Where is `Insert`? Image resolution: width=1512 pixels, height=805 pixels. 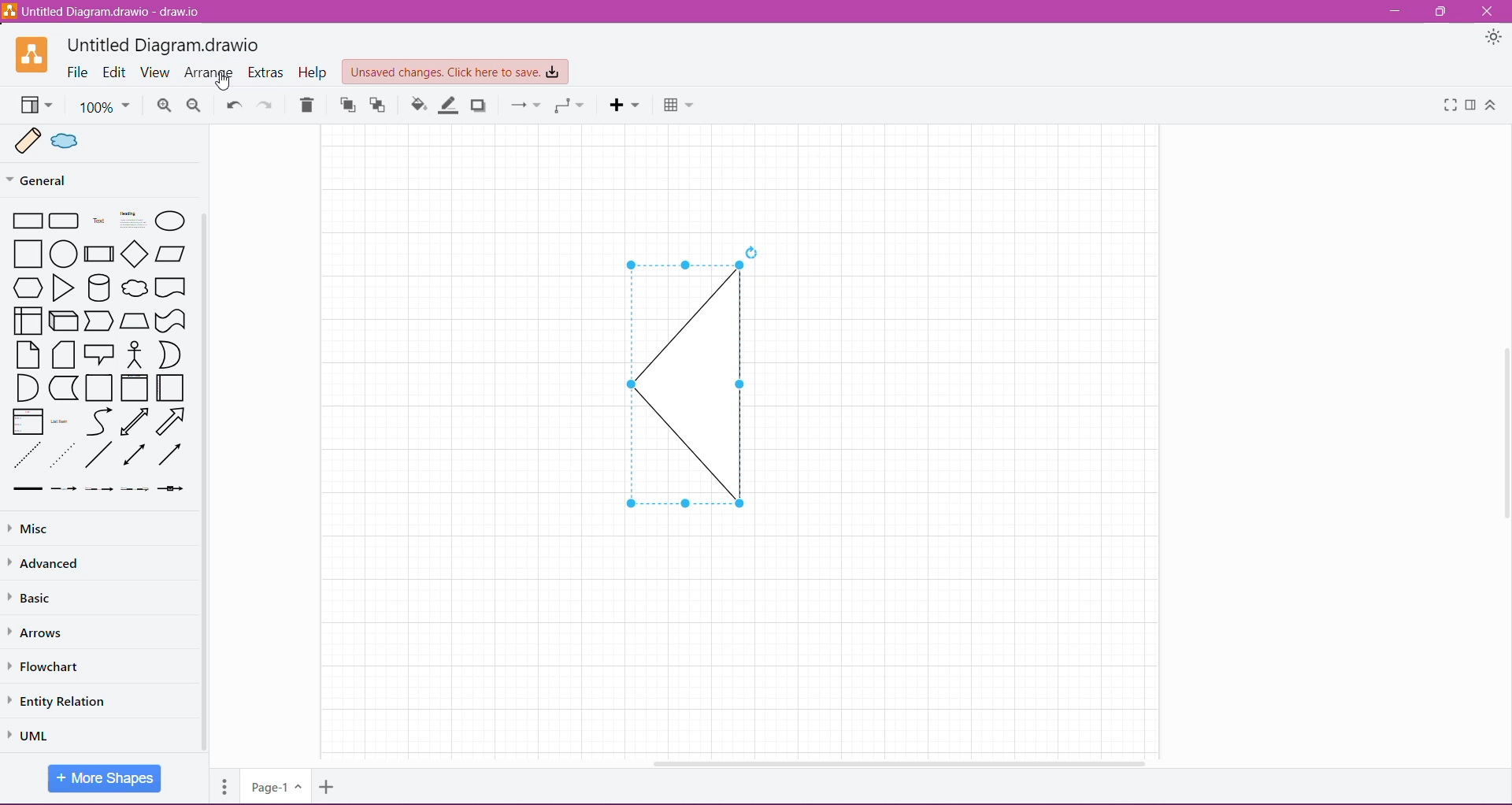
Insert is located at coordinates (625, 106).